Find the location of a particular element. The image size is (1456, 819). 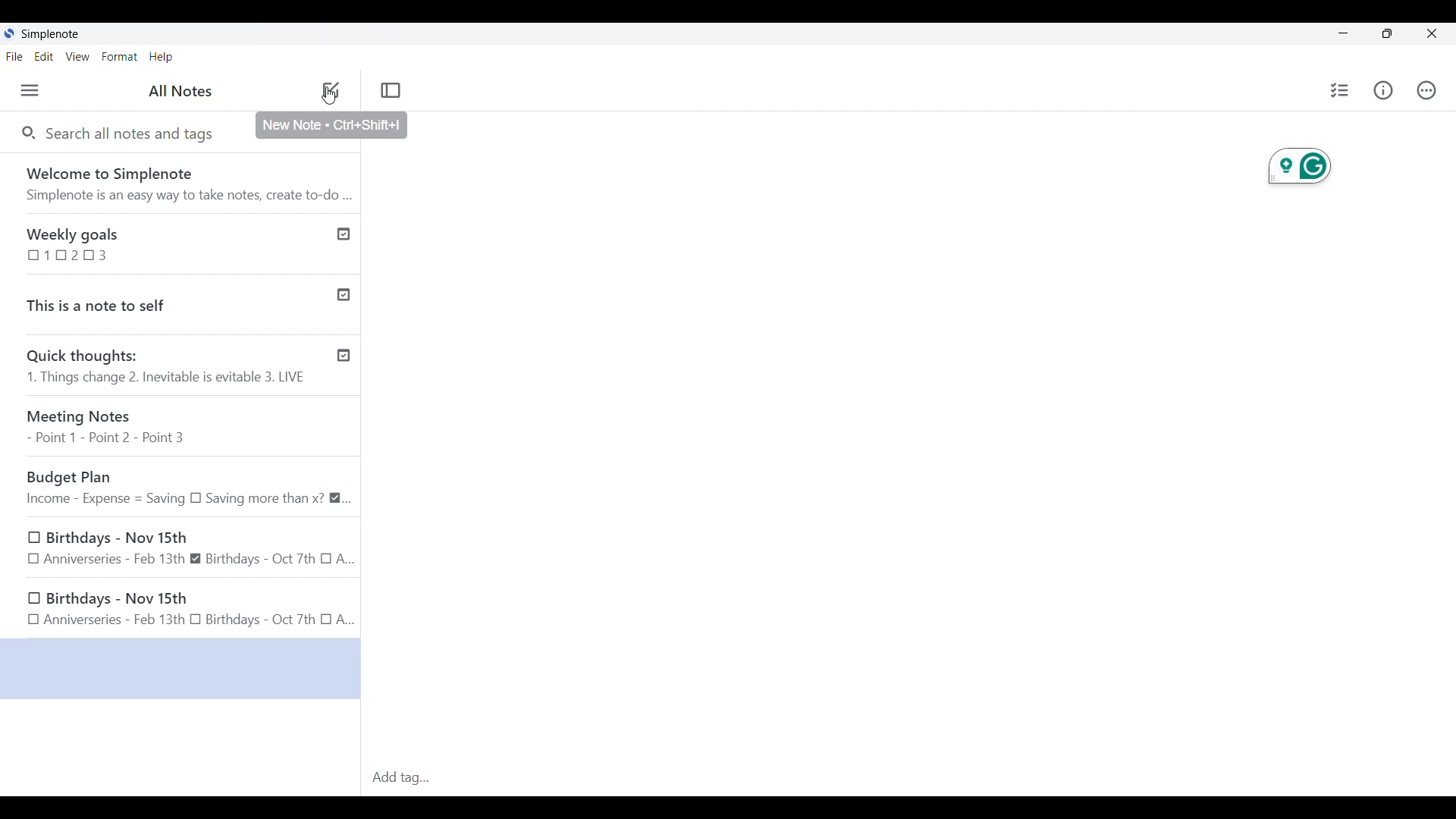

Title of left panel is located at coordinates (180, 90).